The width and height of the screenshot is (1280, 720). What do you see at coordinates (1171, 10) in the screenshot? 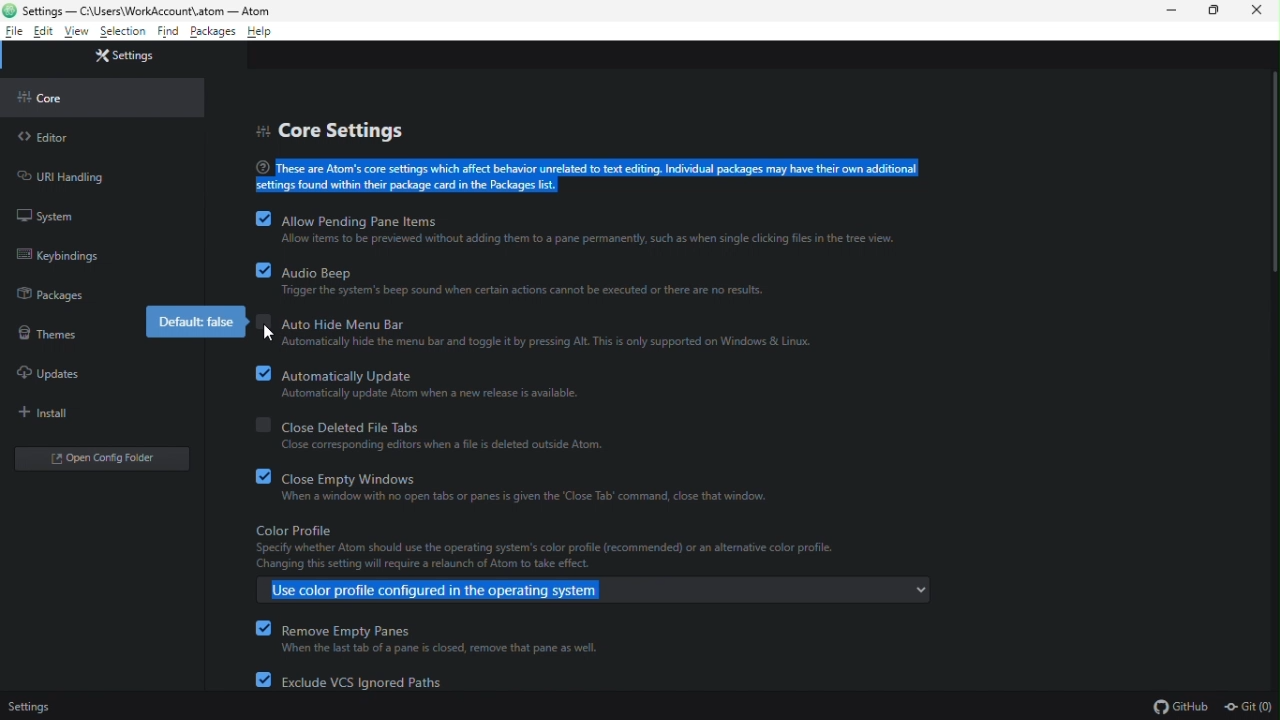
I see `minimize` at bounding box center [1171, 10].